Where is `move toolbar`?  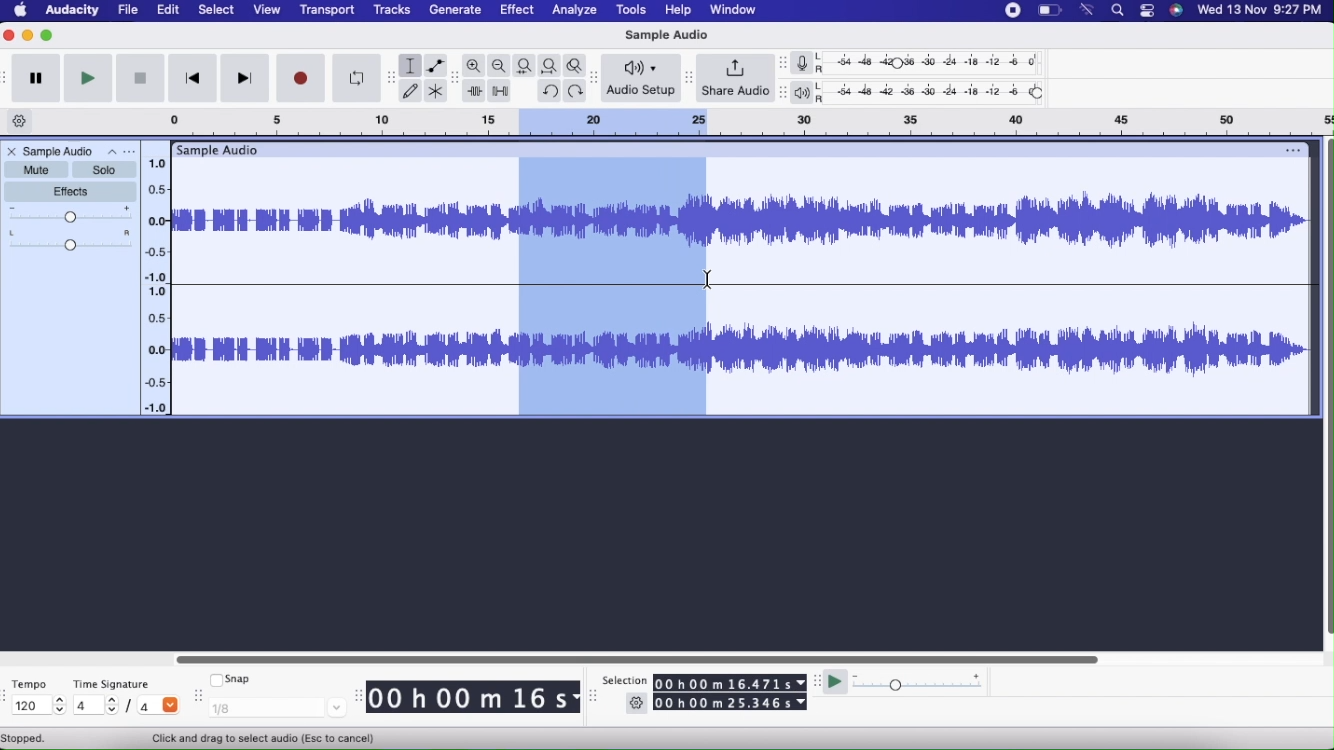 move toolbar is located at coordinates (596, 700).